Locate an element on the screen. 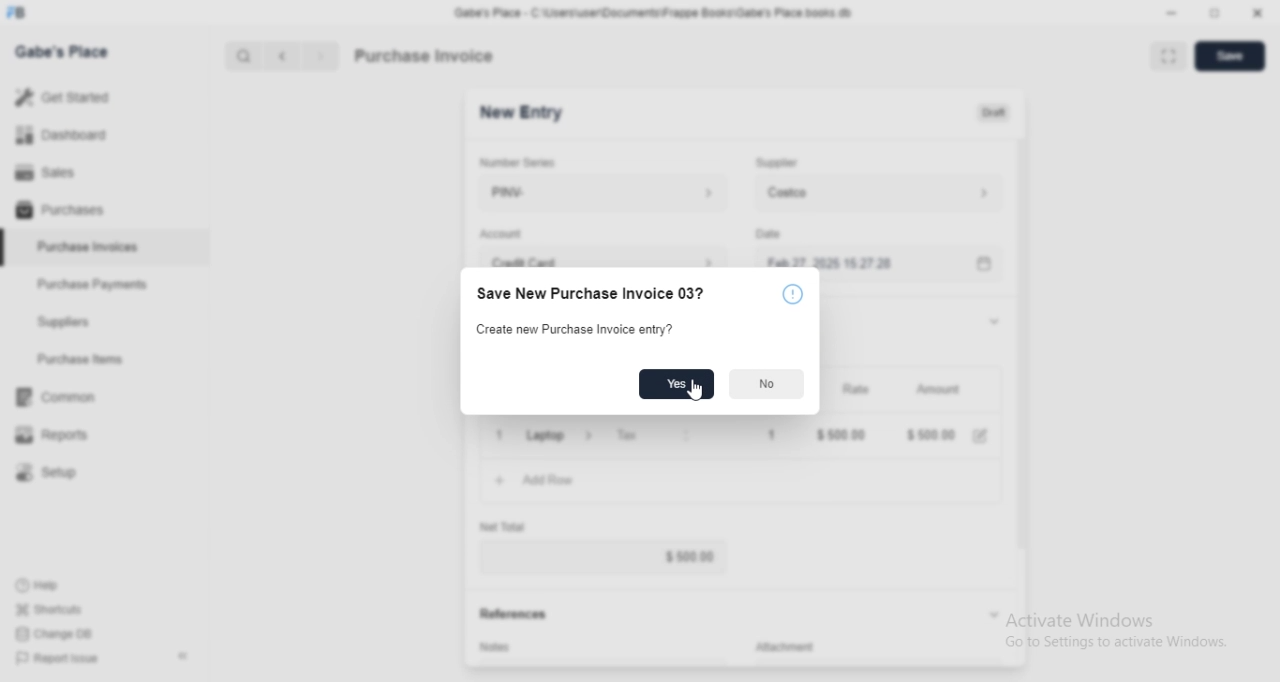  Rate is located at coordinates (852, 389).